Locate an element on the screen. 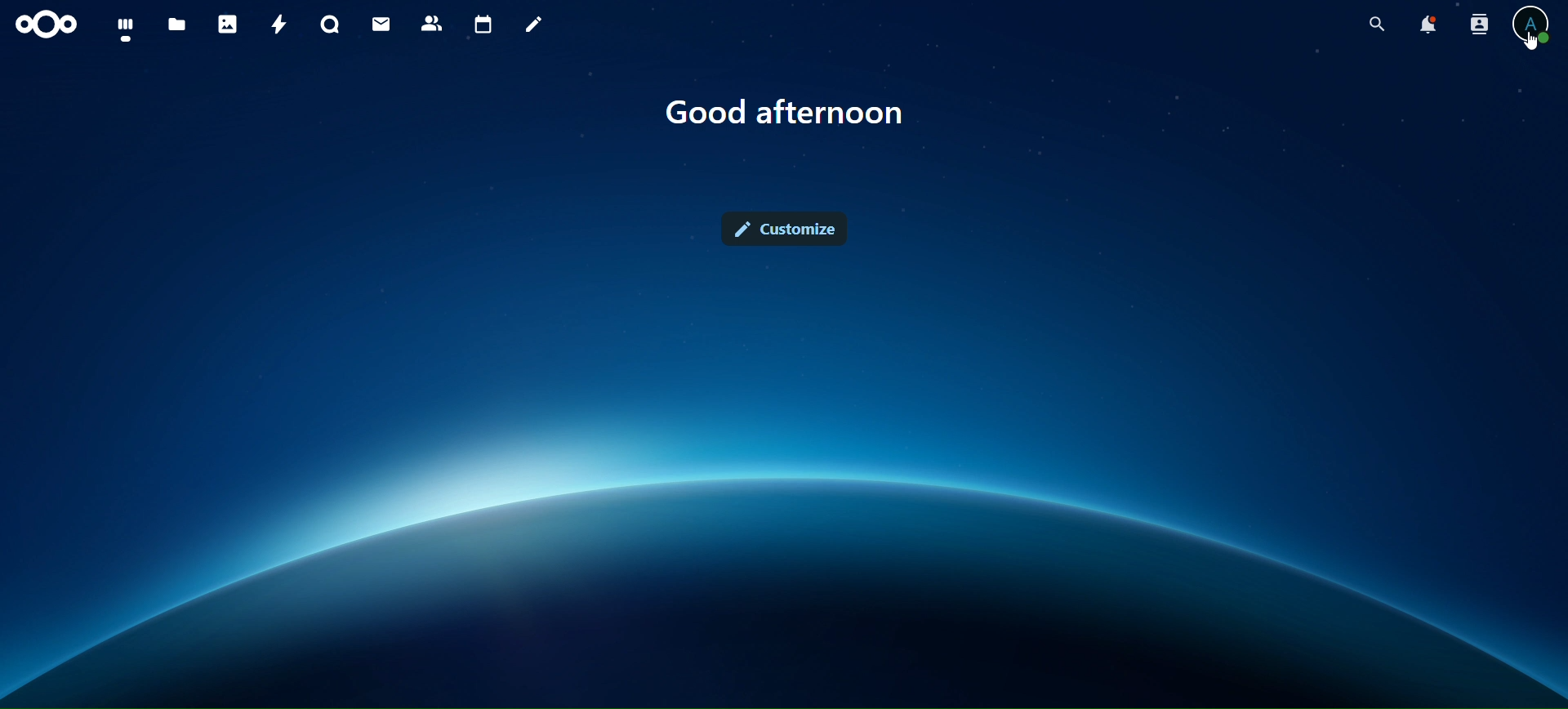 This screenshot has height=709, width=1568. search contacts is located at coordinates (1475, 24).